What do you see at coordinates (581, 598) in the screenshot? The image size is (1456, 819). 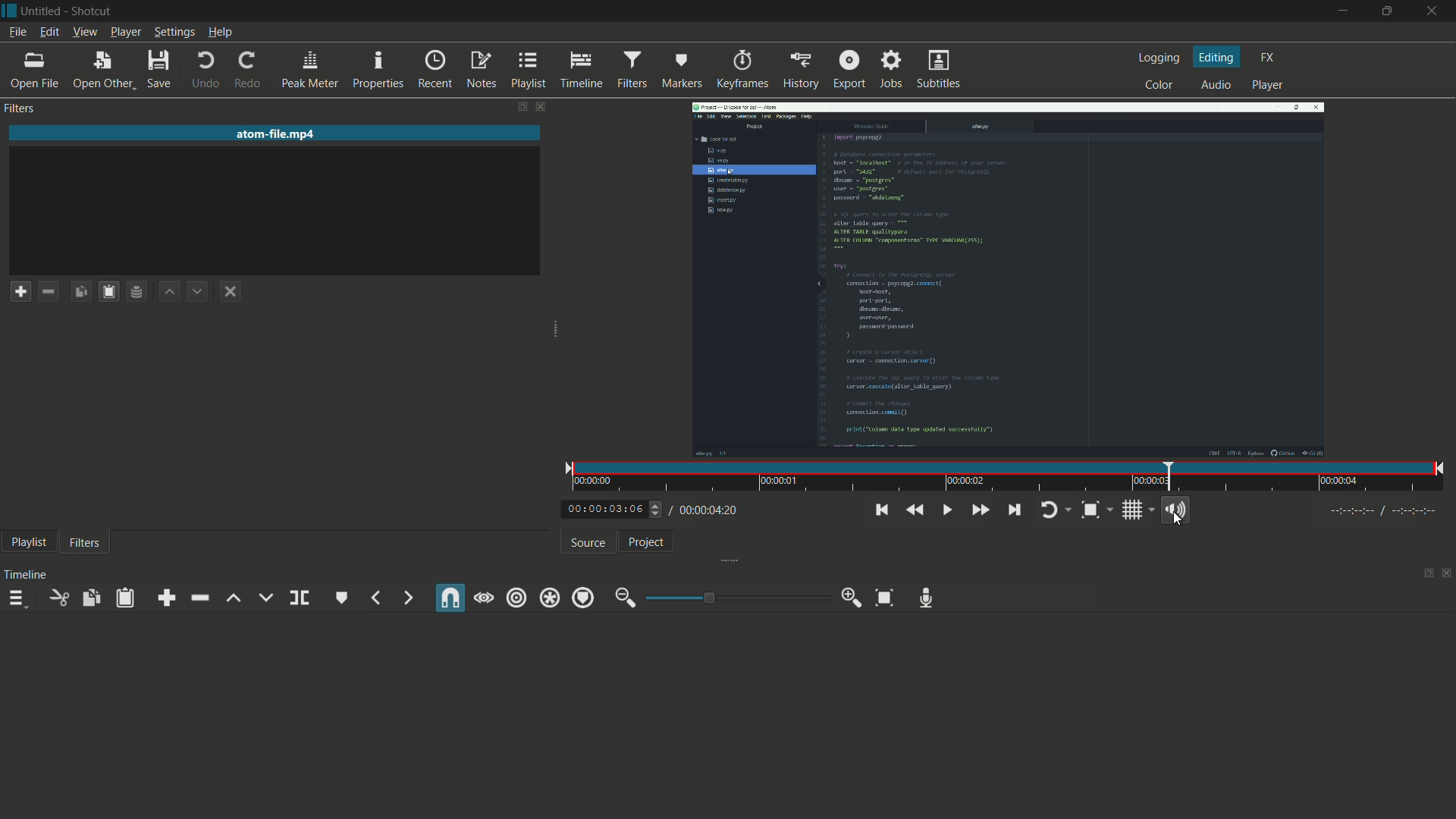 I see `ripple marker` at bounding box center [581, 598].